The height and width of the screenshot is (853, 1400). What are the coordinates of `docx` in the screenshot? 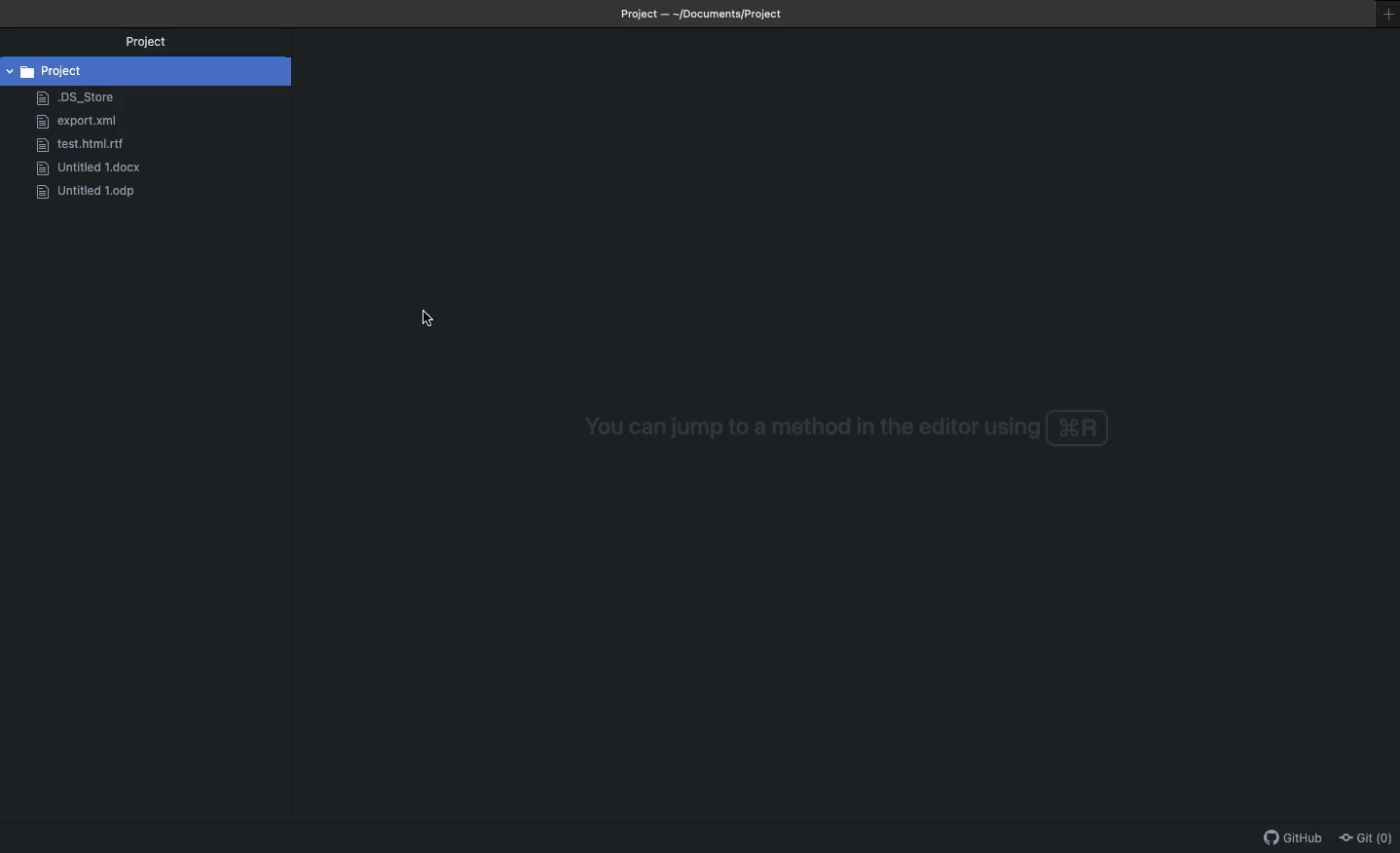 It's located at (81, 170).